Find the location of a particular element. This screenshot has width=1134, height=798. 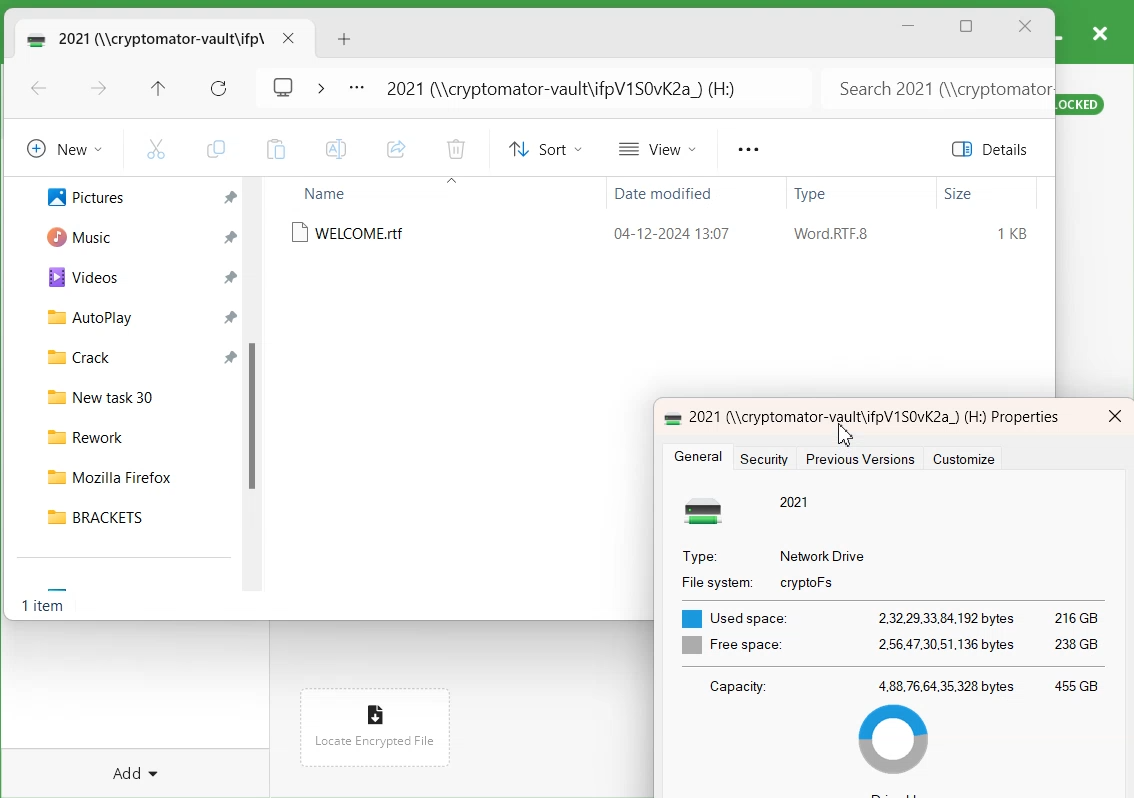

New is located at coordinates (61, 148).